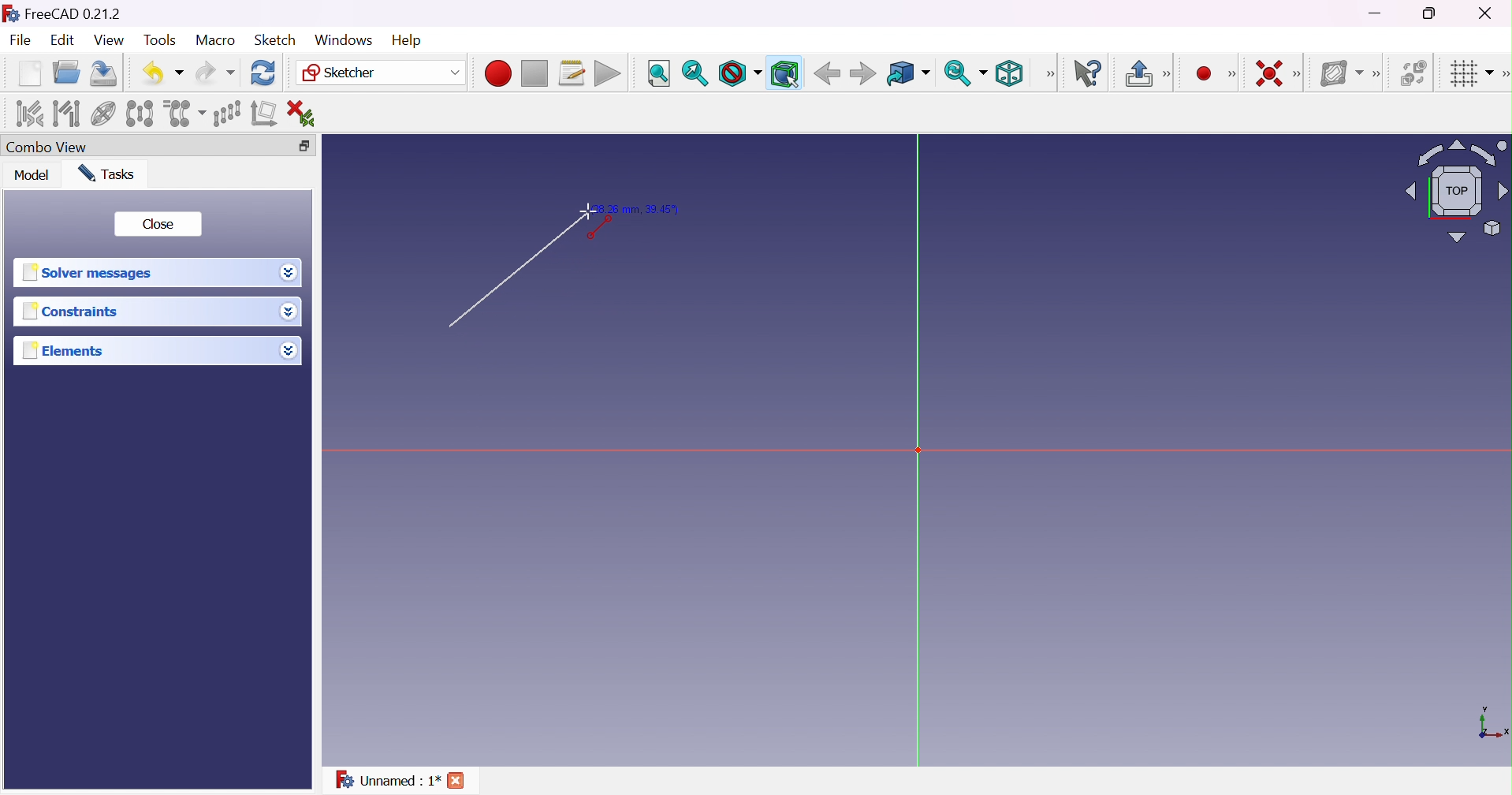 The image size is (1512, 795). Describe the element at coordinates (1458, 190) in the screenshot. I see `Viewing angle` at that location.